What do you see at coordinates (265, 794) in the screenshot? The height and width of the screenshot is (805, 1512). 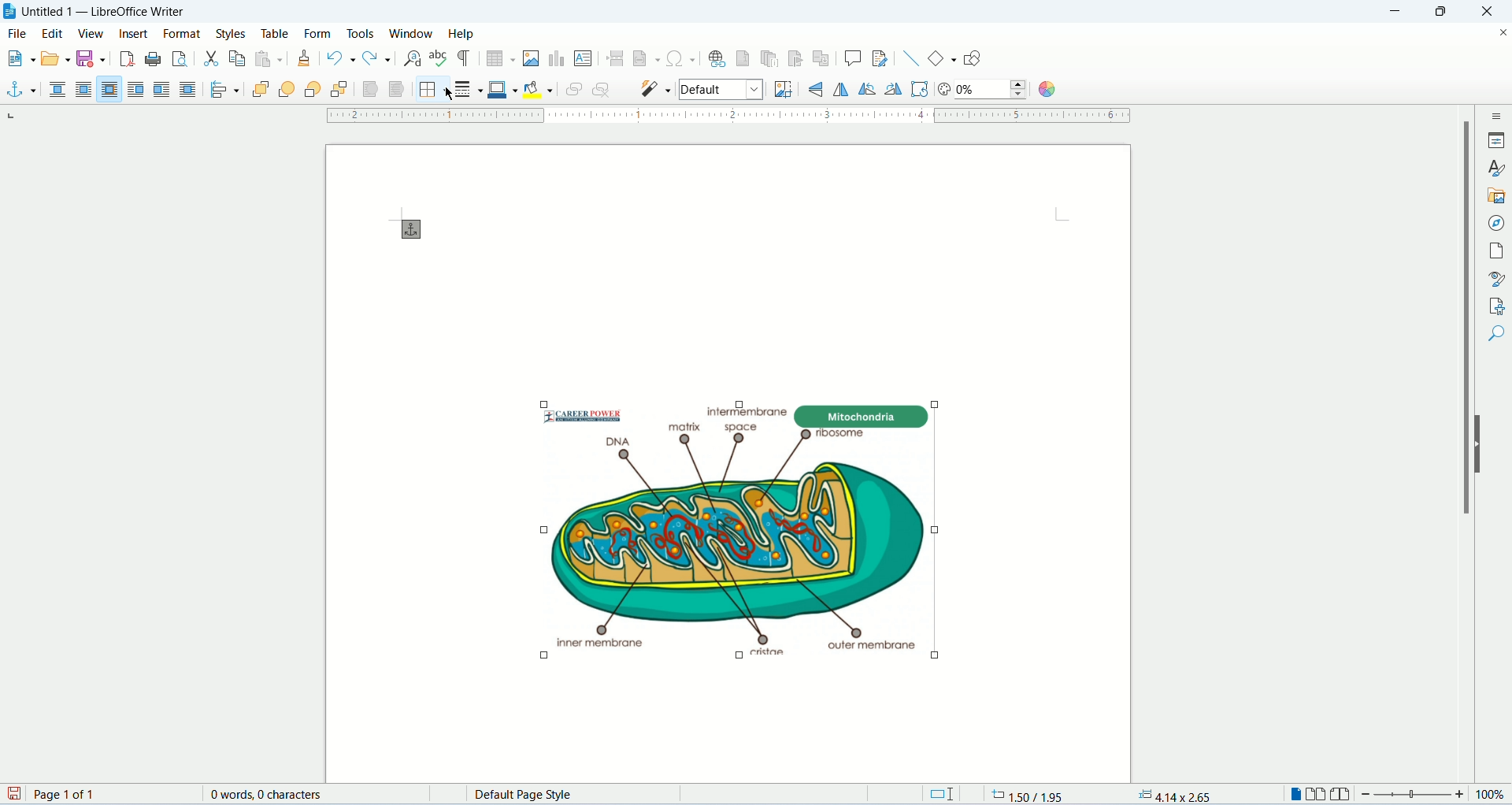 I see `0 words, 0 characters` at bounding box center [265, 794].